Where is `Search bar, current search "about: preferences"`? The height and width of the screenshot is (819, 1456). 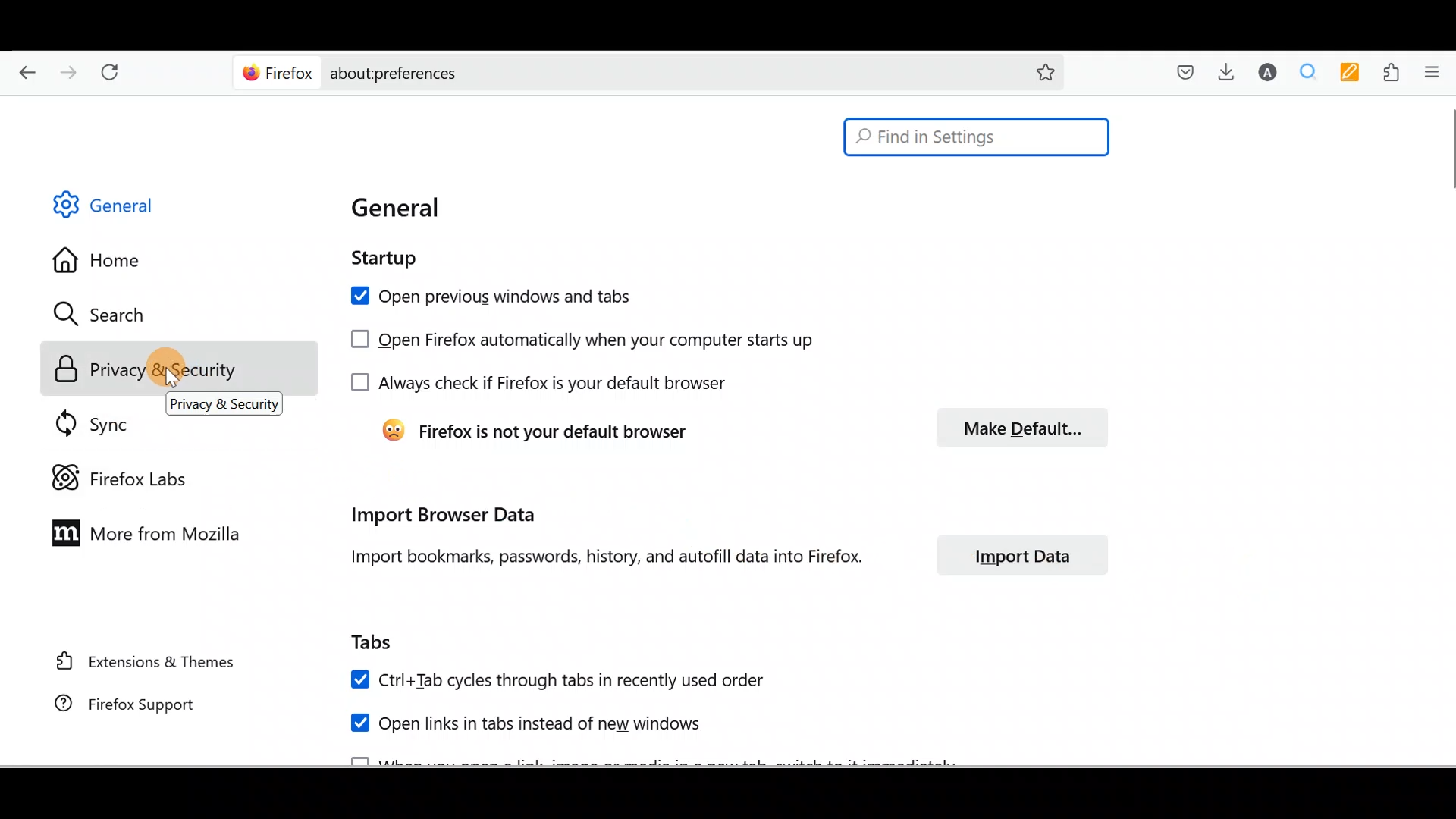
Search bar, current search "about: preferences" is located at coordinates (667, 74).